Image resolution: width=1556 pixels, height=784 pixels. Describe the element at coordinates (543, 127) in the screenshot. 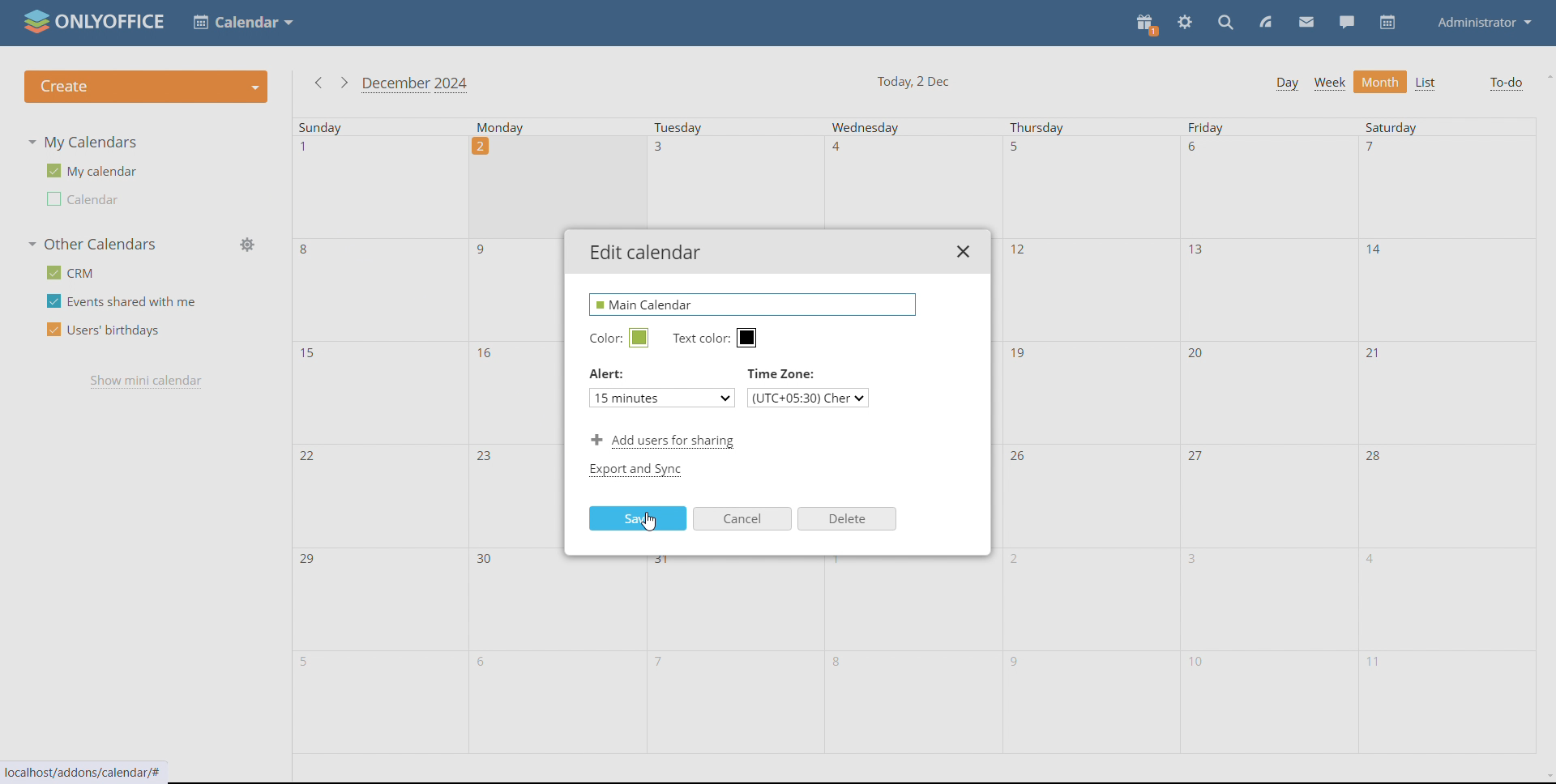

I see `monday` at that location.